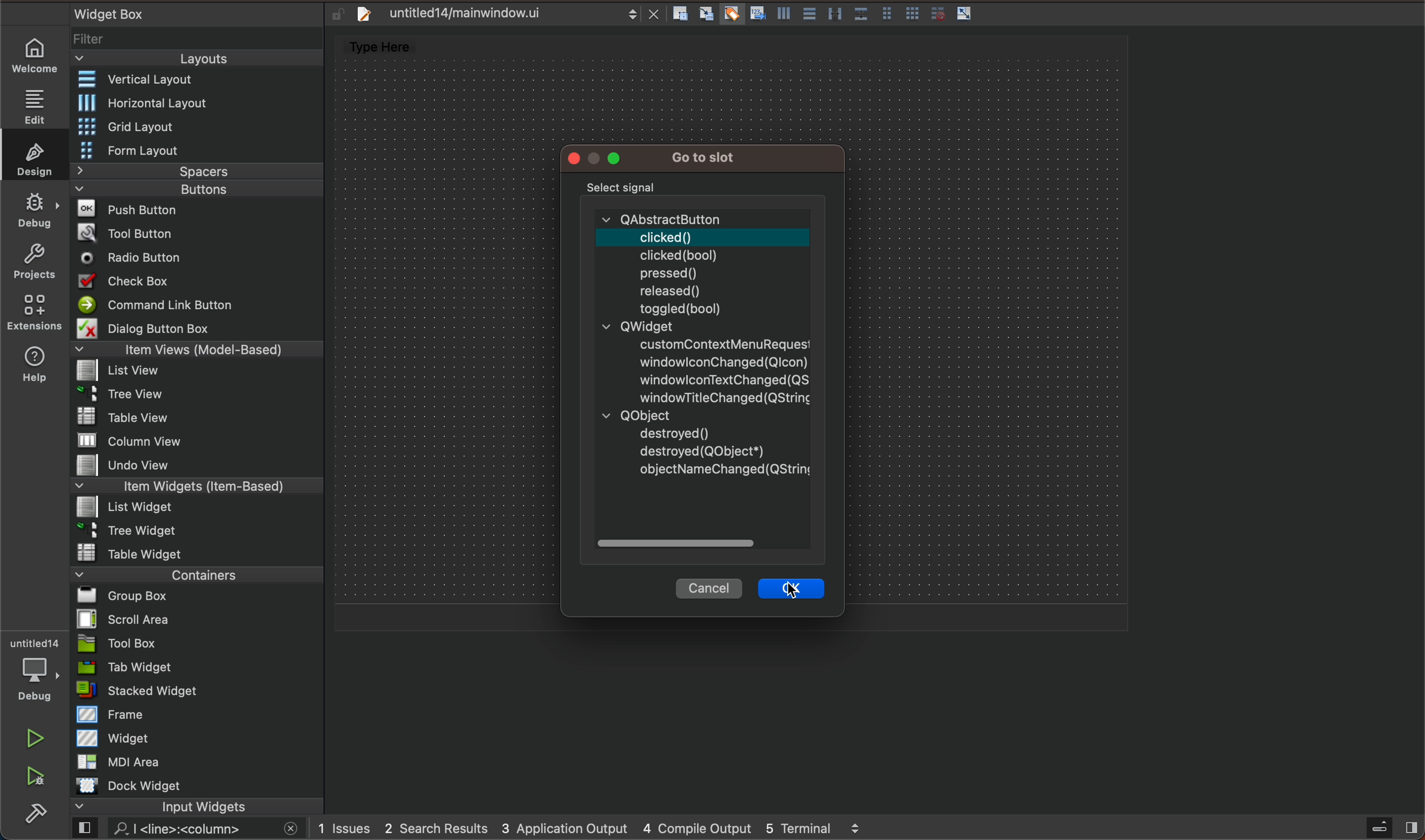 The image size is (1425, 840). I want to click on qwidget, so click(703, 362).